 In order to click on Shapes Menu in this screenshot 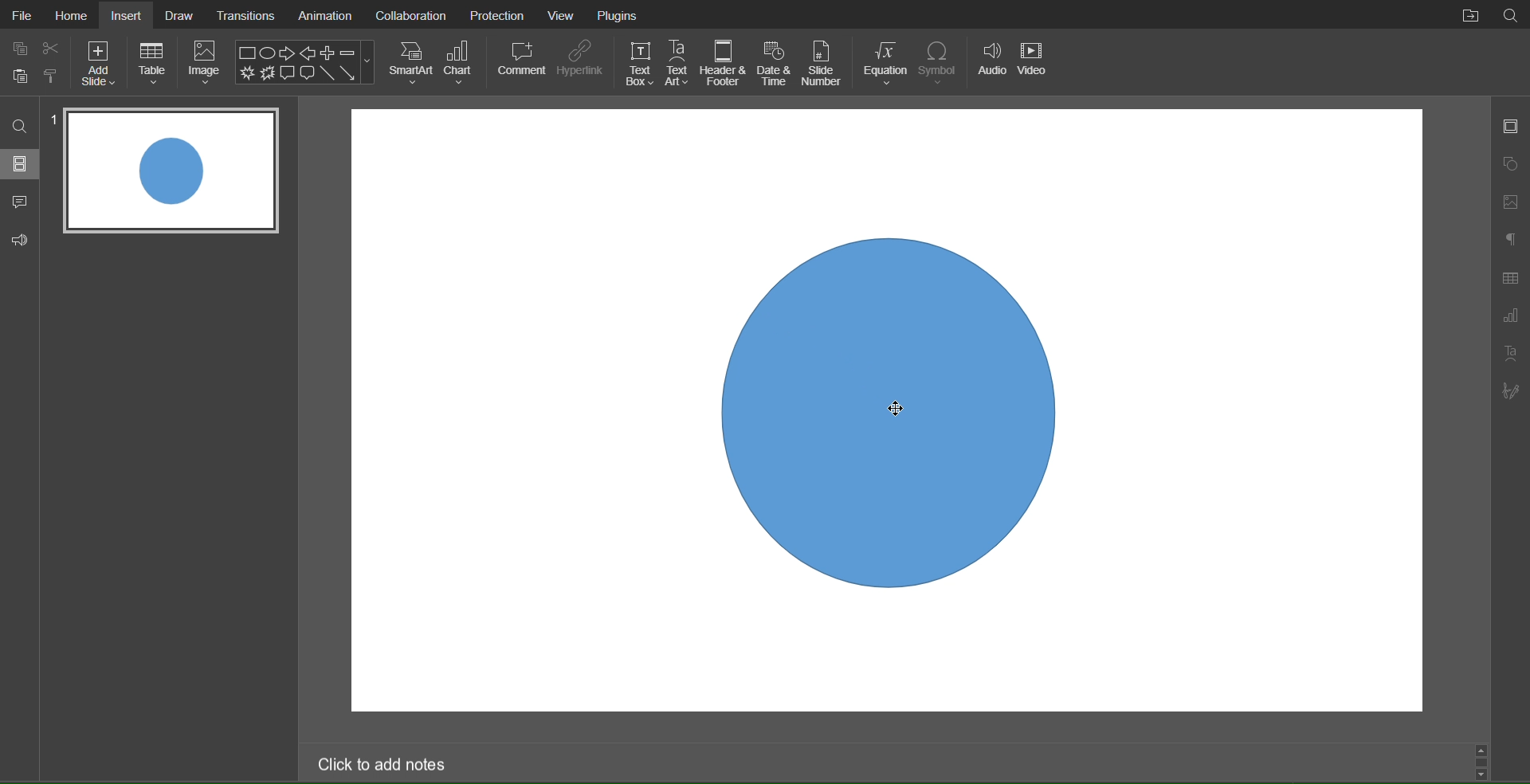, I will do `click(304, 62)`.